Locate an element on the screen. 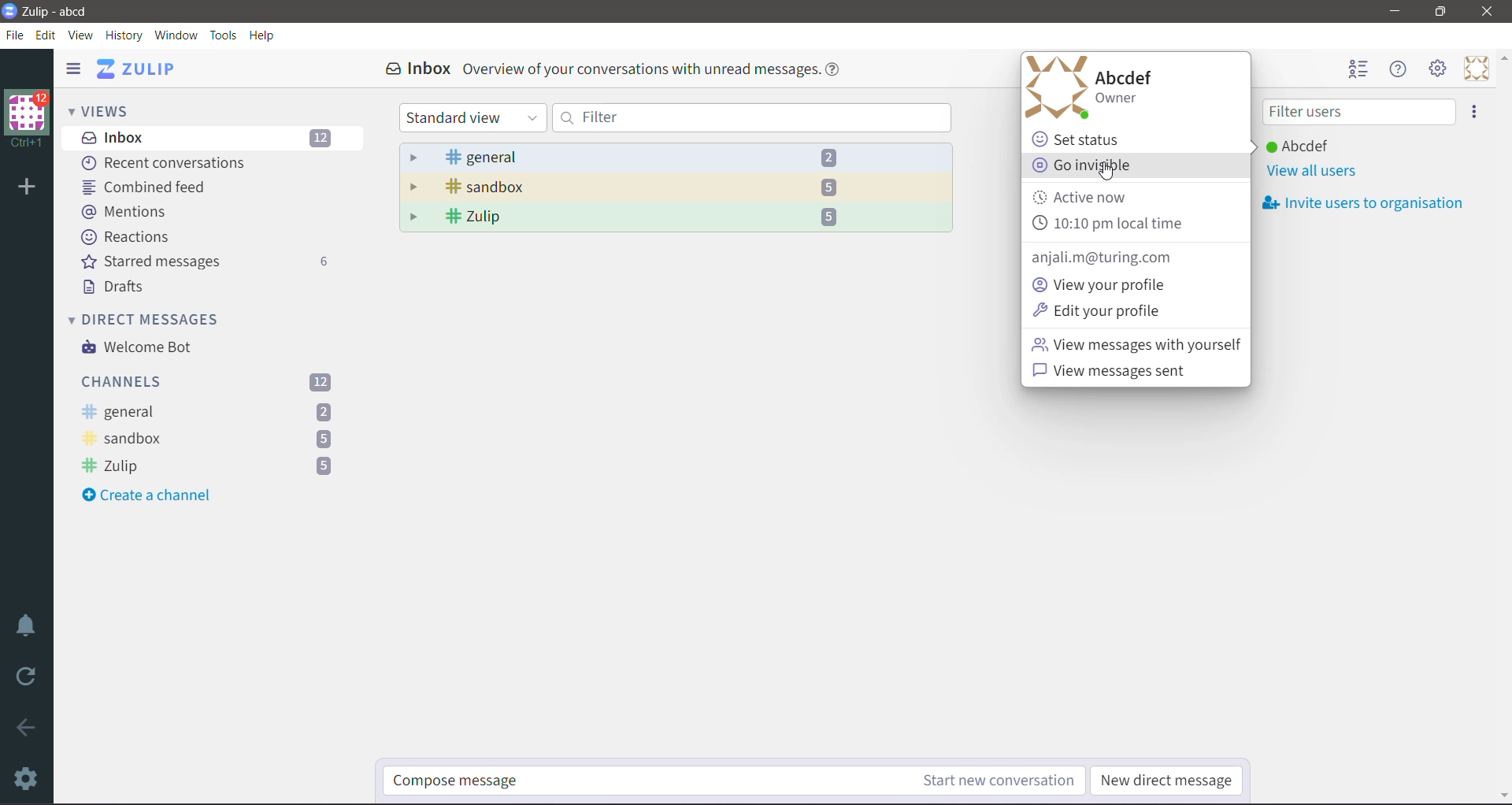  View your profile is located at coordinates (1103, 284).